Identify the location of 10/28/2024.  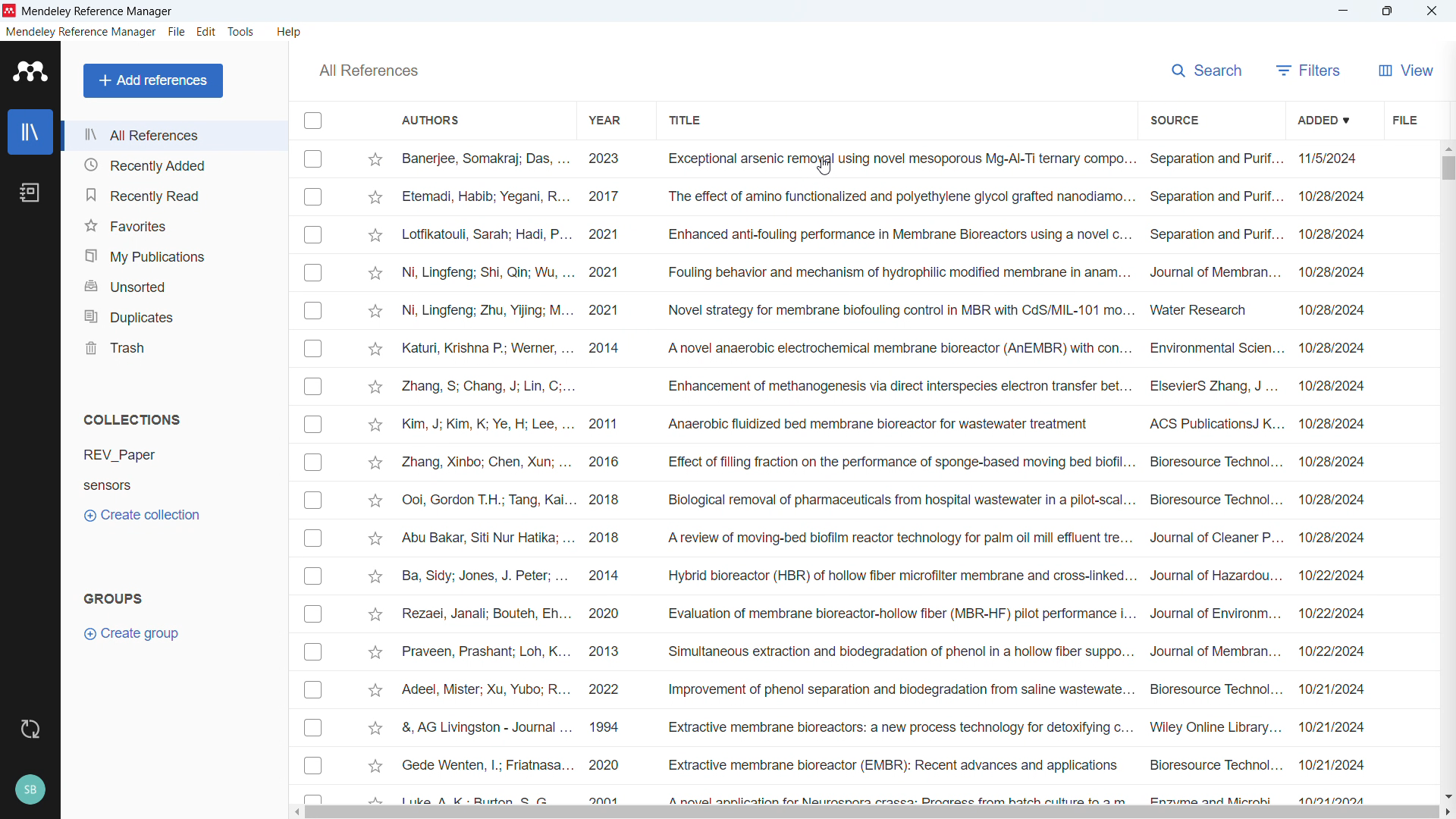
(1348, 463).